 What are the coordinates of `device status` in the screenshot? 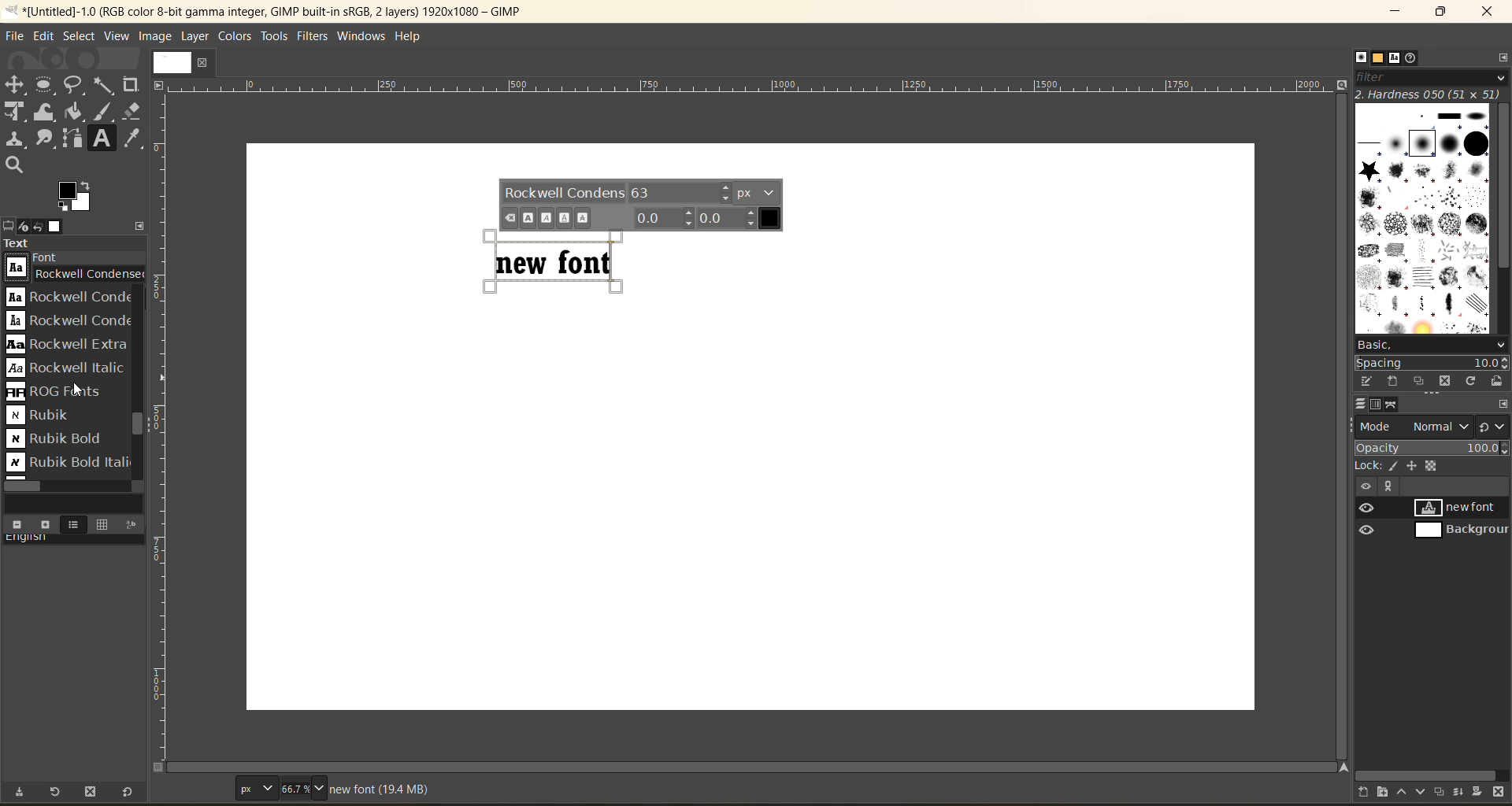 It's located at (26, 226).